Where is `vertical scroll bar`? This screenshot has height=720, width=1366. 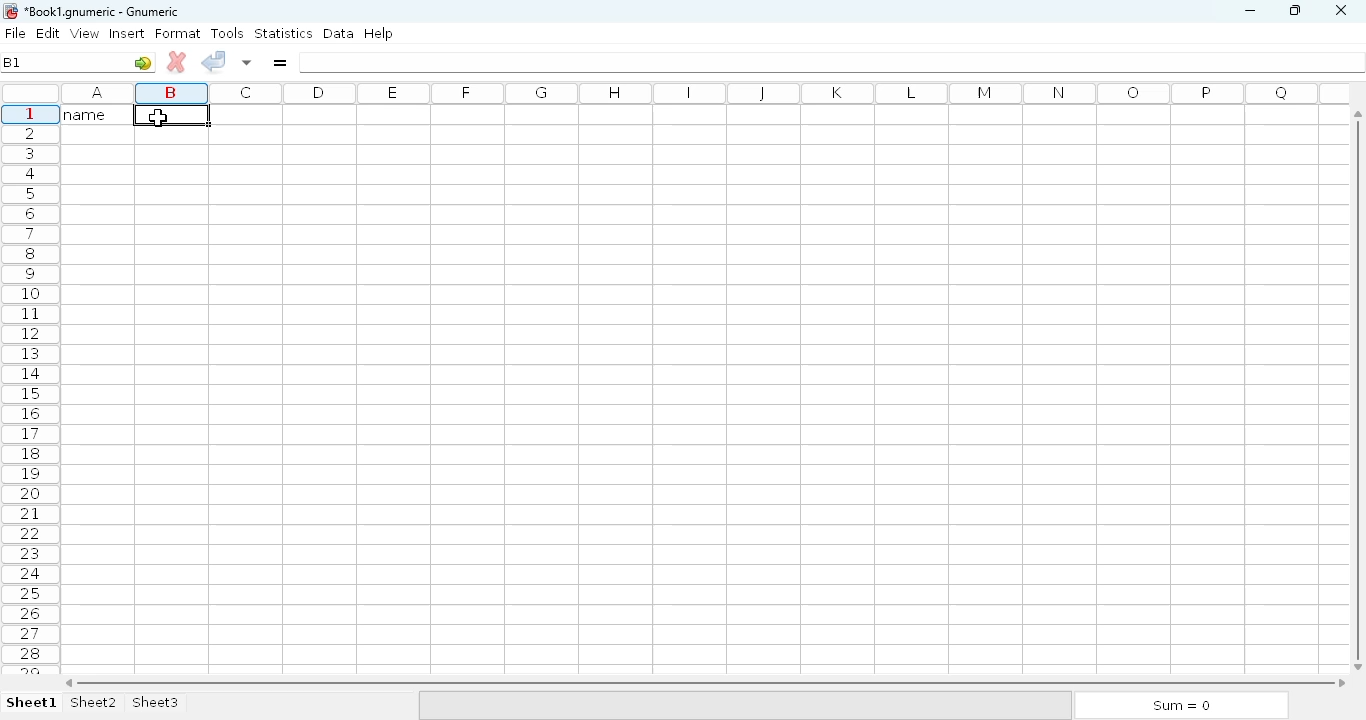 vertical scroll bar is located at coordinates (1361, 389).